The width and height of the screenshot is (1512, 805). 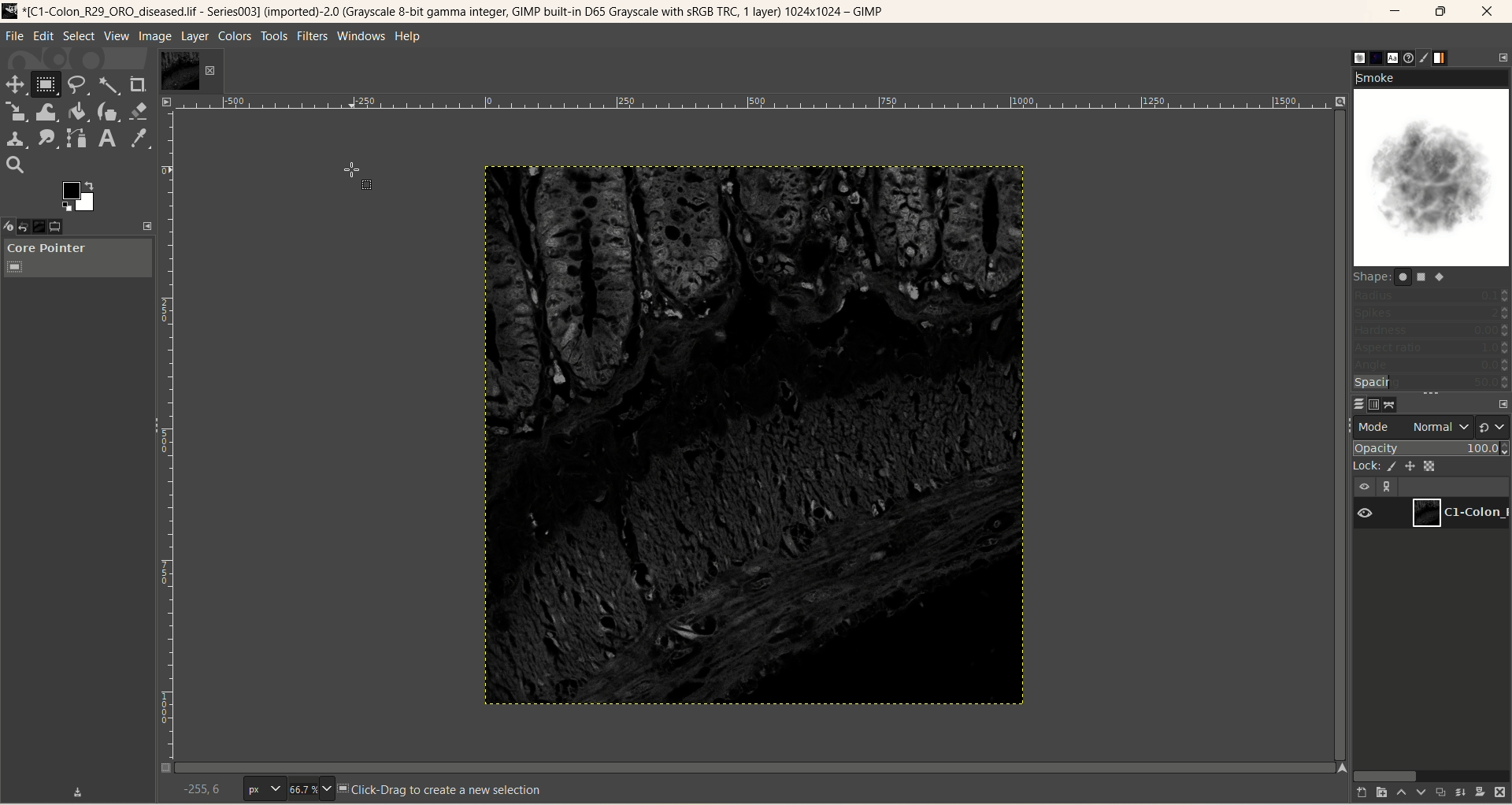 What do you see at coordinates (76, 792) in the screenshot?
I see `save` at bounding box center [76, 792].